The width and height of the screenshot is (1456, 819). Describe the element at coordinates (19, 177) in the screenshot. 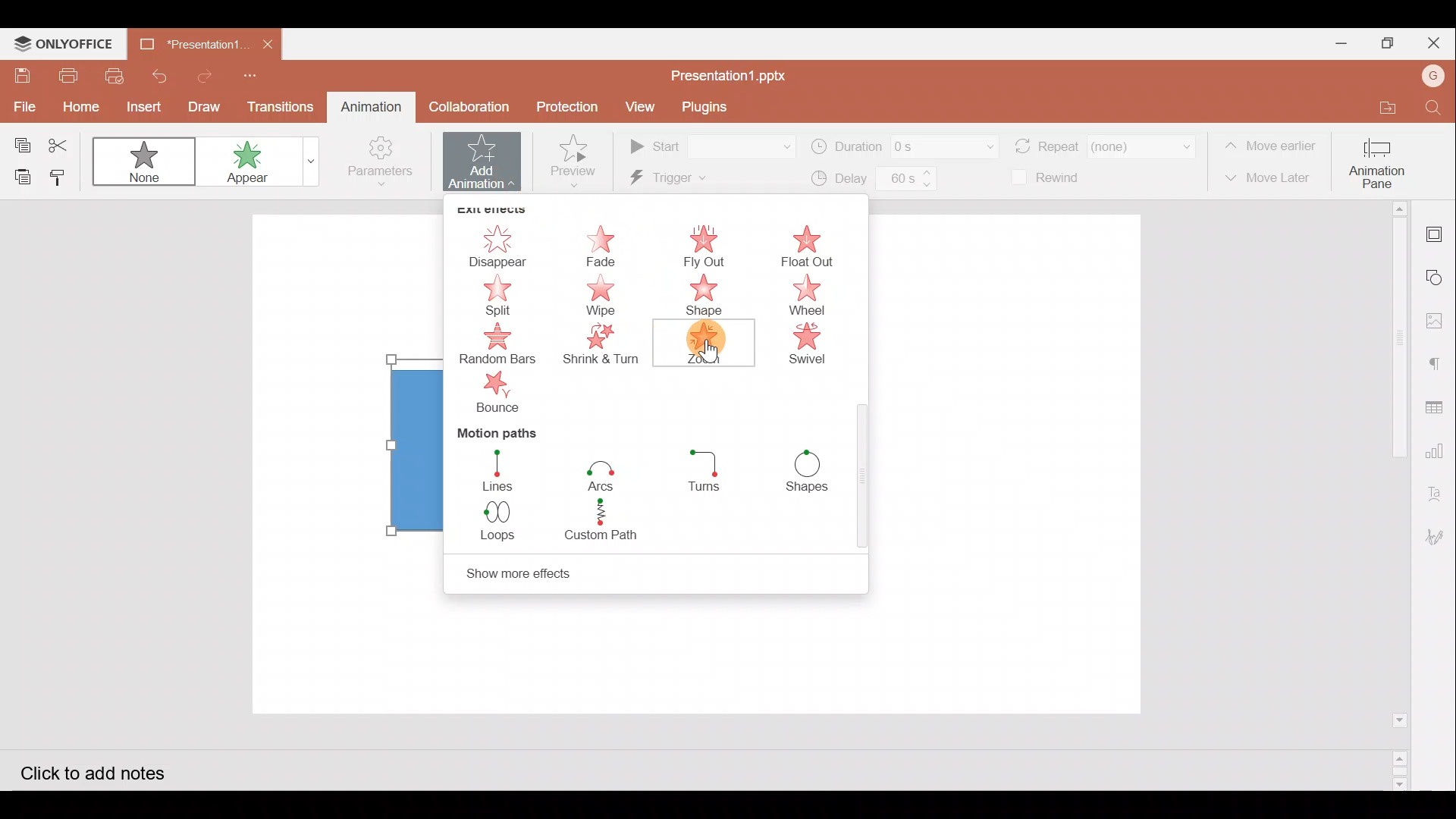

I see `Paste` at that location.